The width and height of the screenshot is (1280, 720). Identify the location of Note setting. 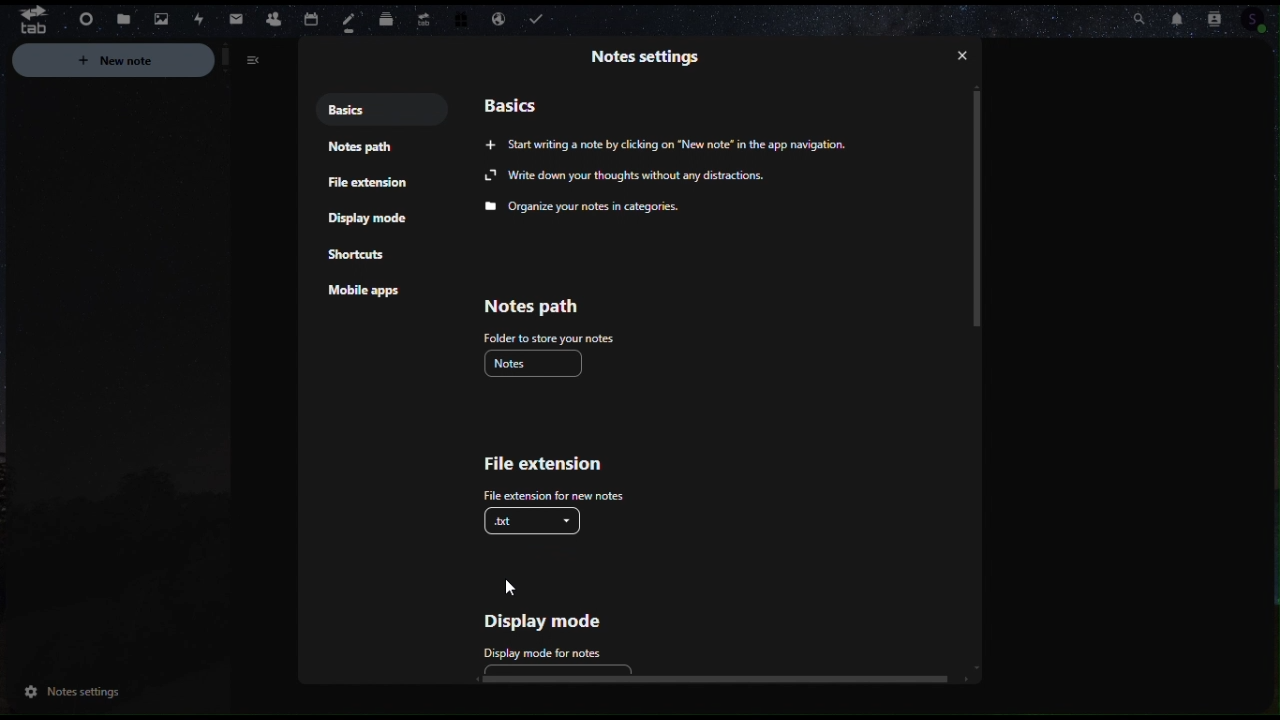
(648, 55).